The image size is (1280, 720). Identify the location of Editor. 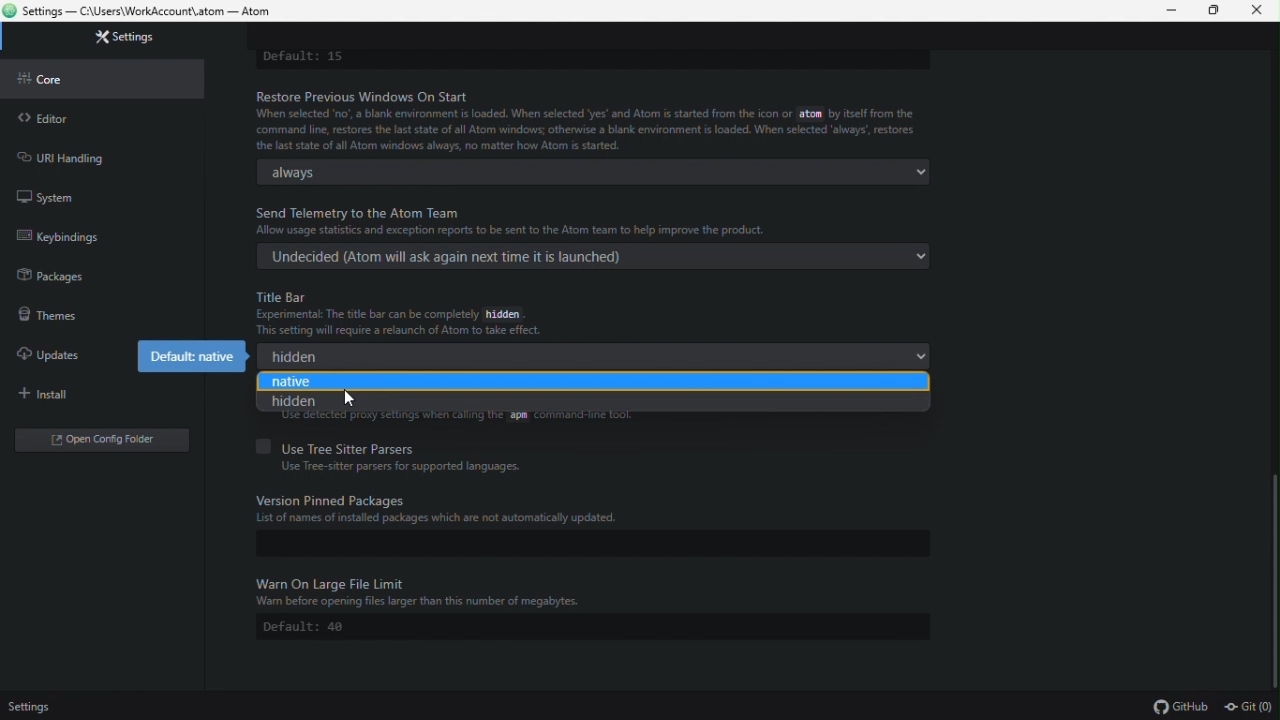
(105, 118).